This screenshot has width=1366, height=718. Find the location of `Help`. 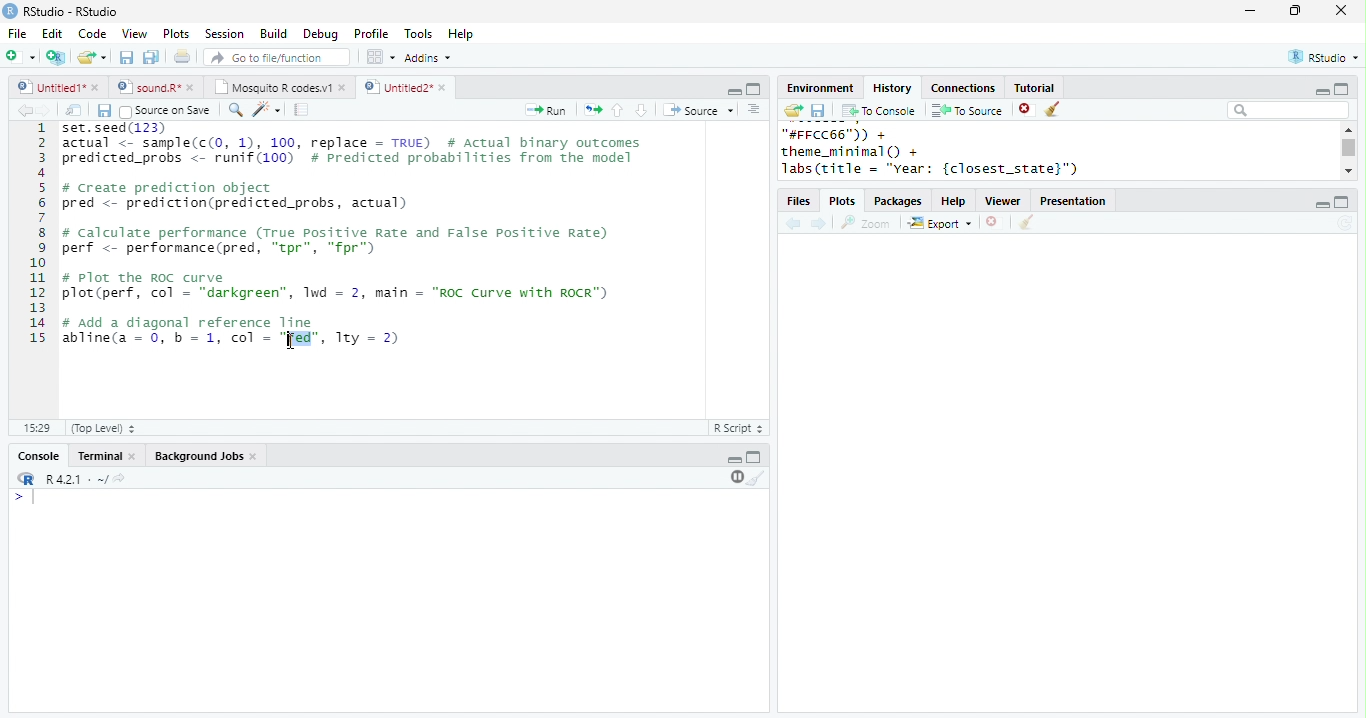

Help is located at coordinates (461, 35).